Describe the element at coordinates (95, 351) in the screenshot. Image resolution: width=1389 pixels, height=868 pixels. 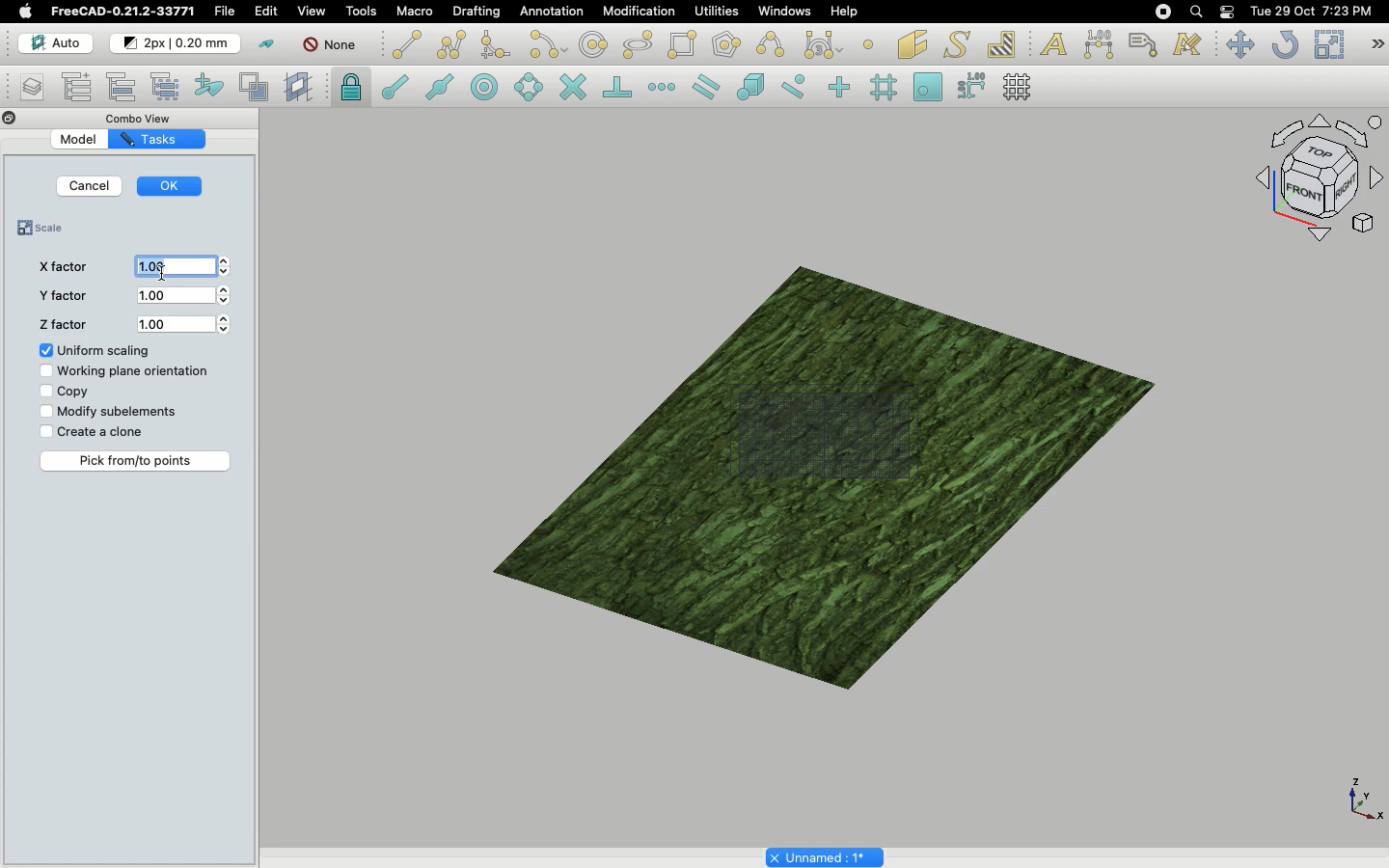
I see `Uniform scaling` at that location.